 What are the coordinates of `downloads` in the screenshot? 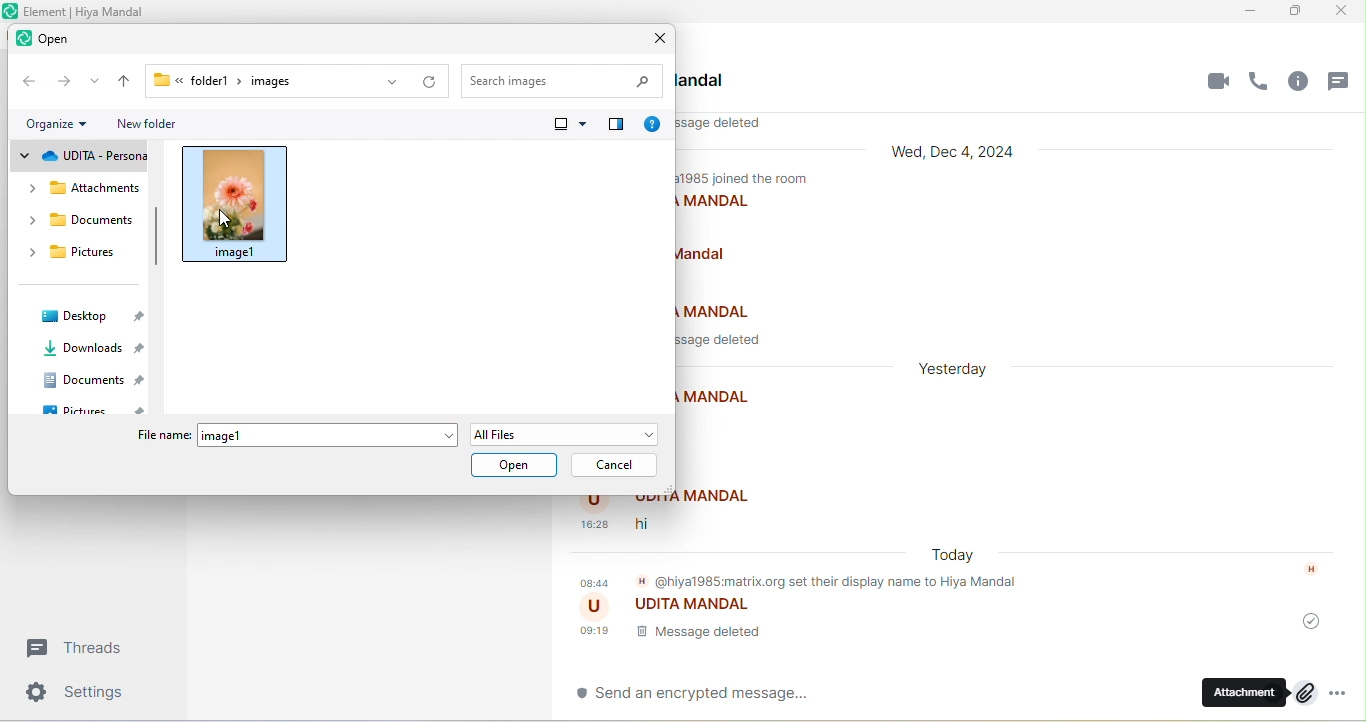 It's located at (92, 351).